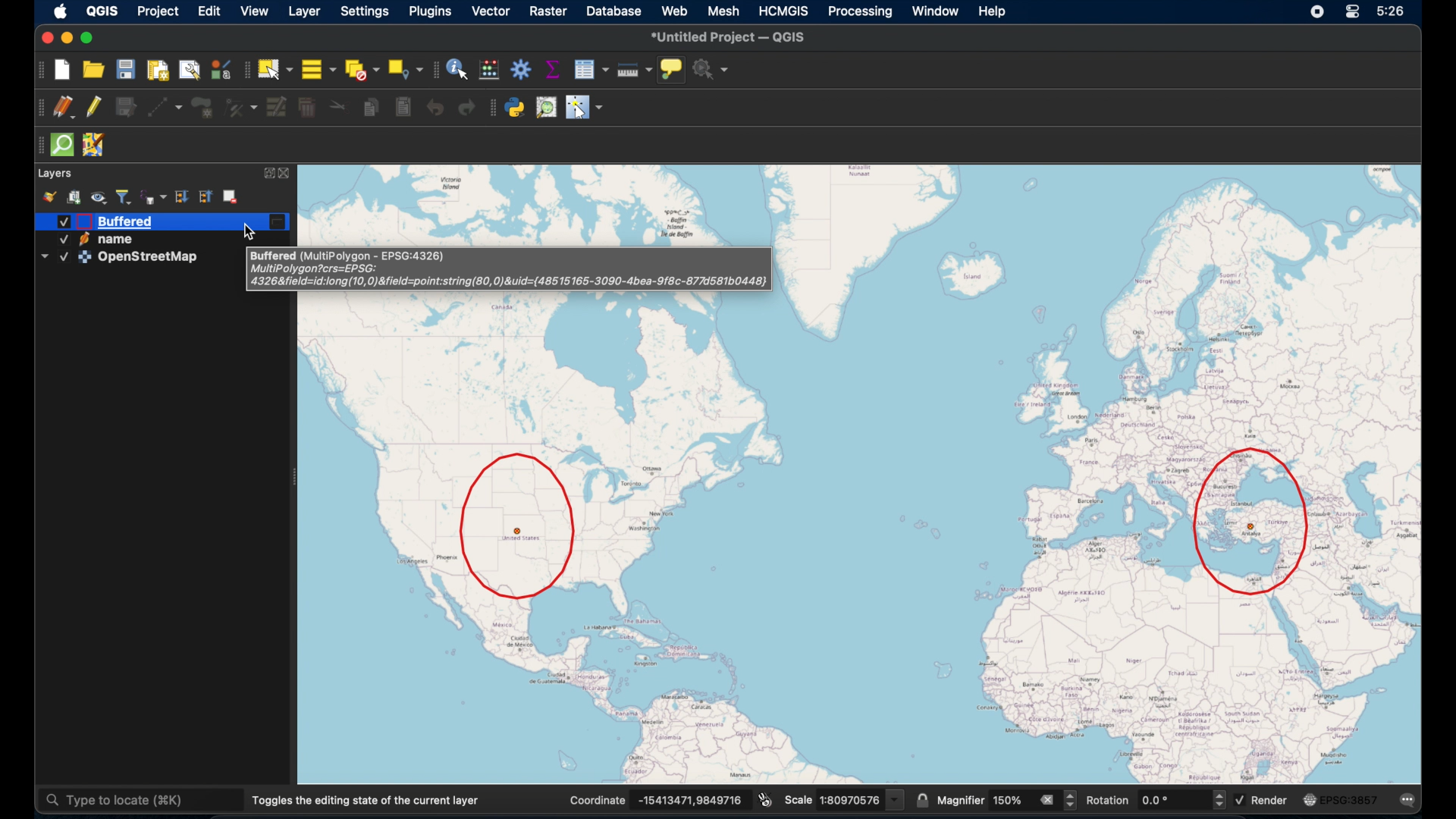 This screenshot has height=819, width=1456. What do you see at coordinates (850, 799) in the screenshot?
I see `scale vlaue` at bounding box center [850, 799].